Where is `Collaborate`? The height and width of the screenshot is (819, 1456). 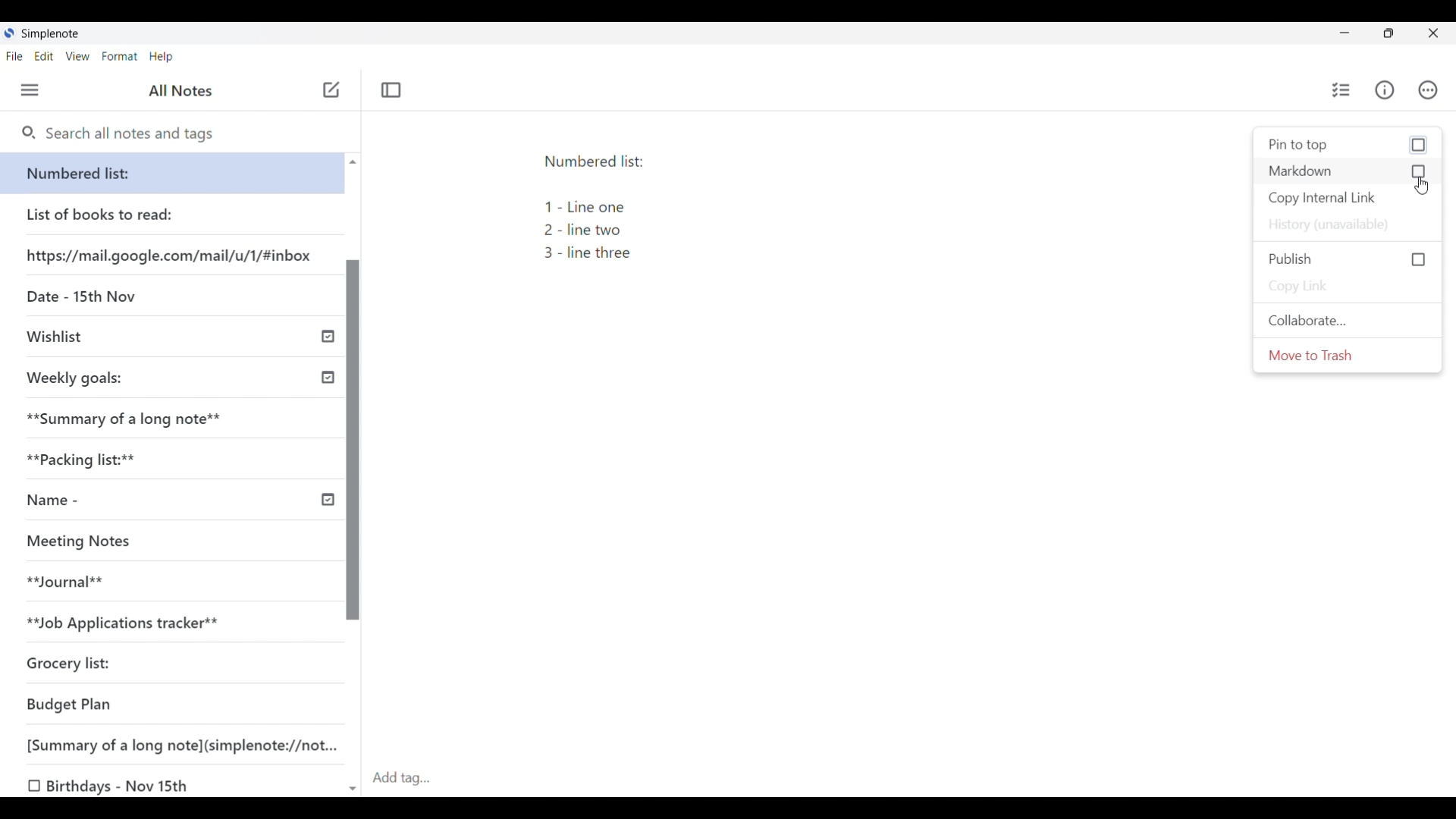
Collaborate is located at coordinates (1348, 320).